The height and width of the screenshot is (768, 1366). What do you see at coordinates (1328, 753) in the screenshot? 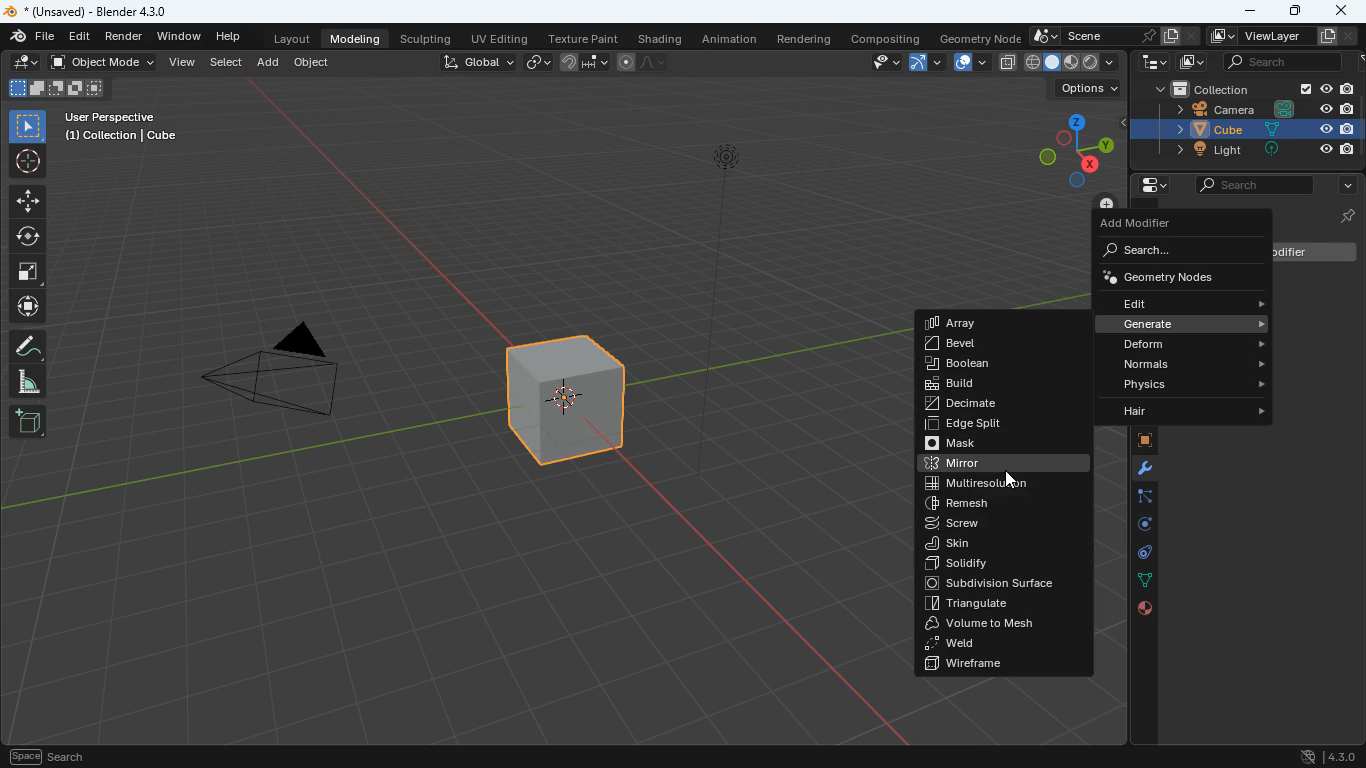
I see `version` at bounding box center [1328, 753].